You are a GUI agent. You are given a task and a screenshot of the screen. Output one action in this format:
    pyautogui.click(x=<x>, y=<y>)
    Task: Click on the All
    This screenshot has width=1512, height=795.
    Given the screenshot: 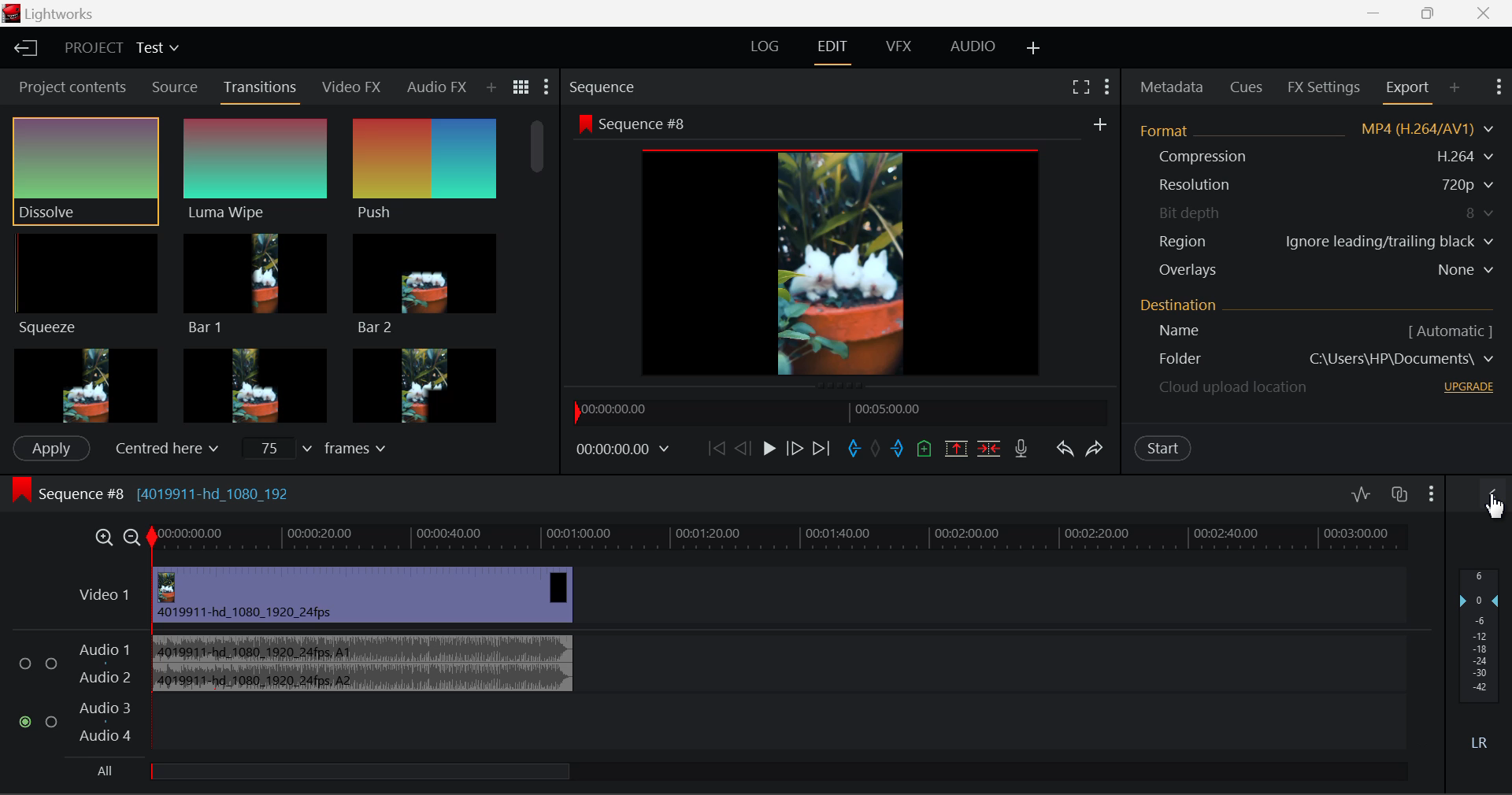 What is the action you would take?
    pyautogui.click(x=334, y=775)
    